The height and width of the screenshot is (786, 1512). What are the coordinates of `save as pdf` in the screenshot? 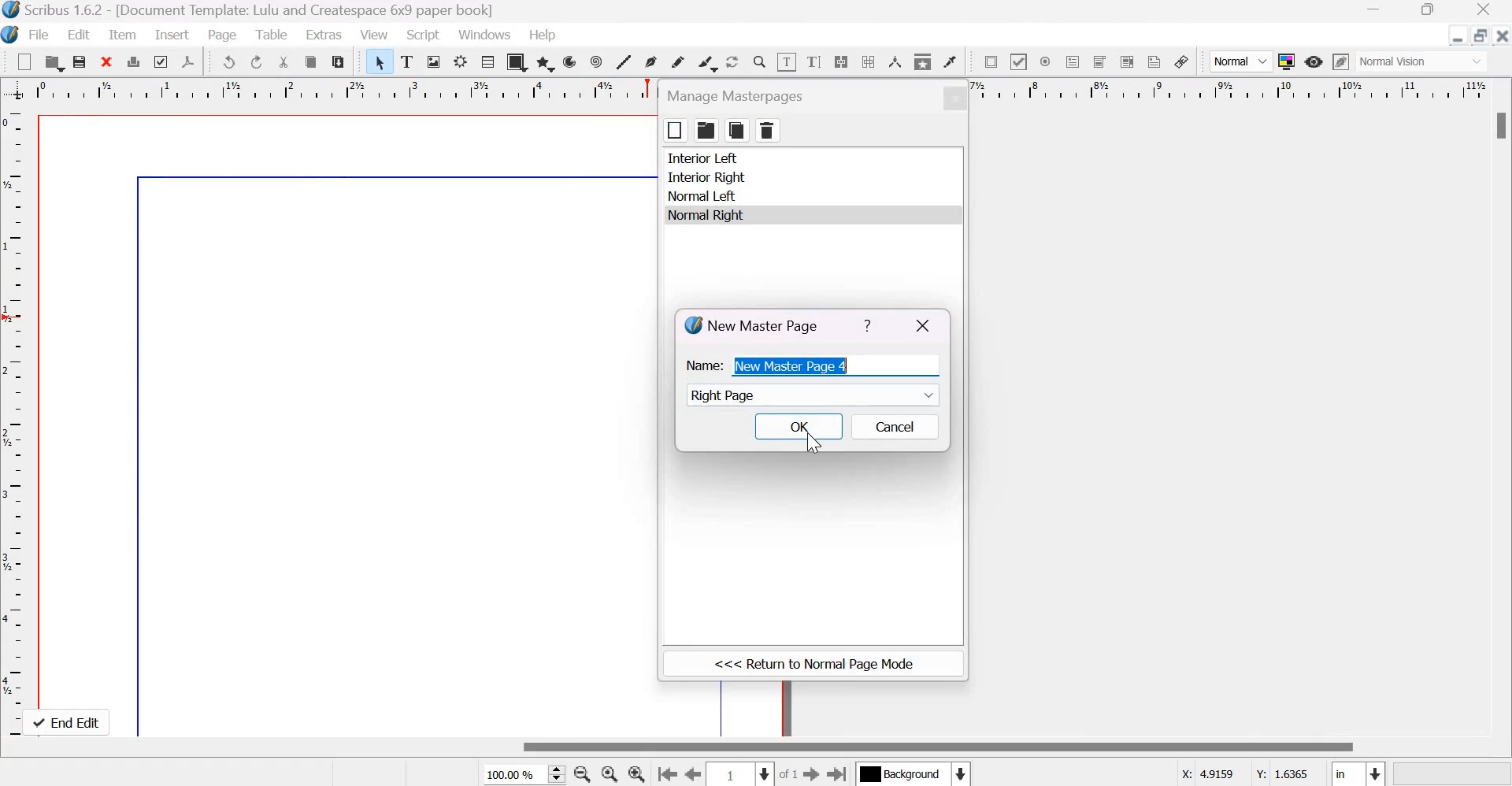 It's located at (190, 62).